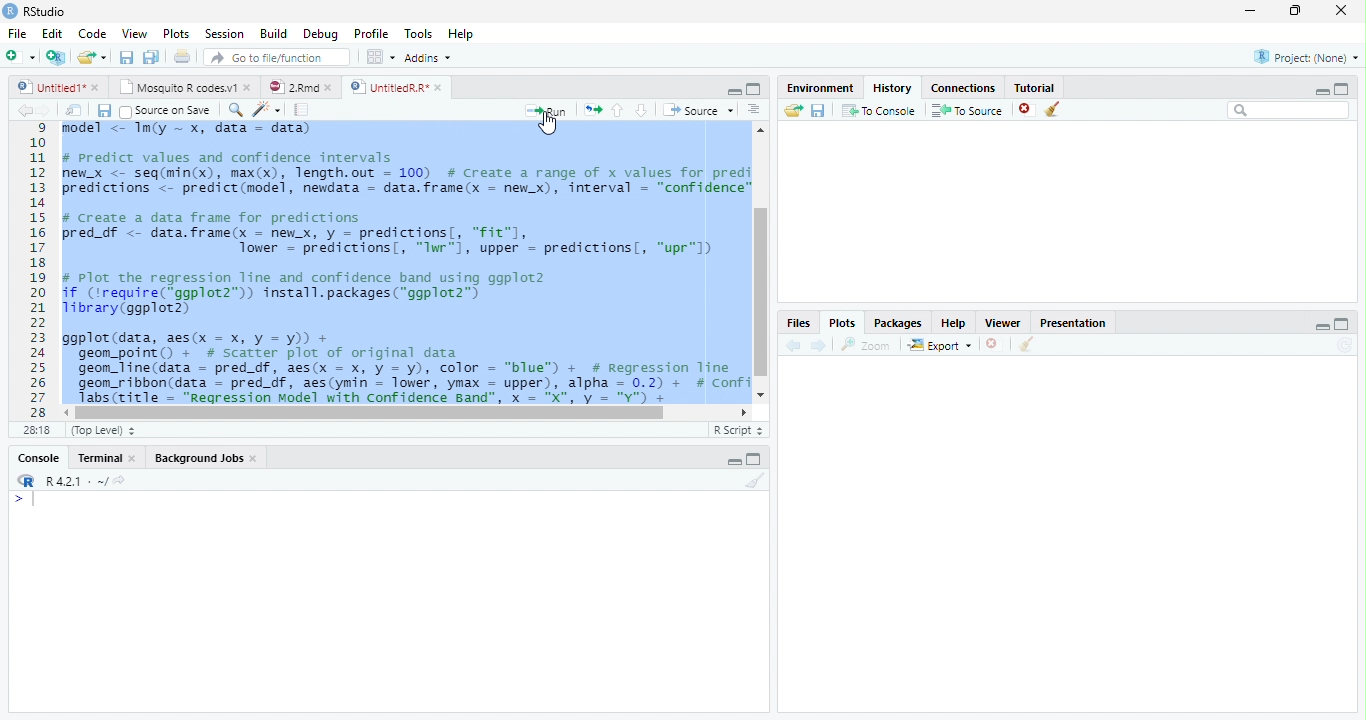 This screenshot has height=720, width=1366. Describe the element at coordinates (734, 93) in the screenshot. I see `minimize` at that location.